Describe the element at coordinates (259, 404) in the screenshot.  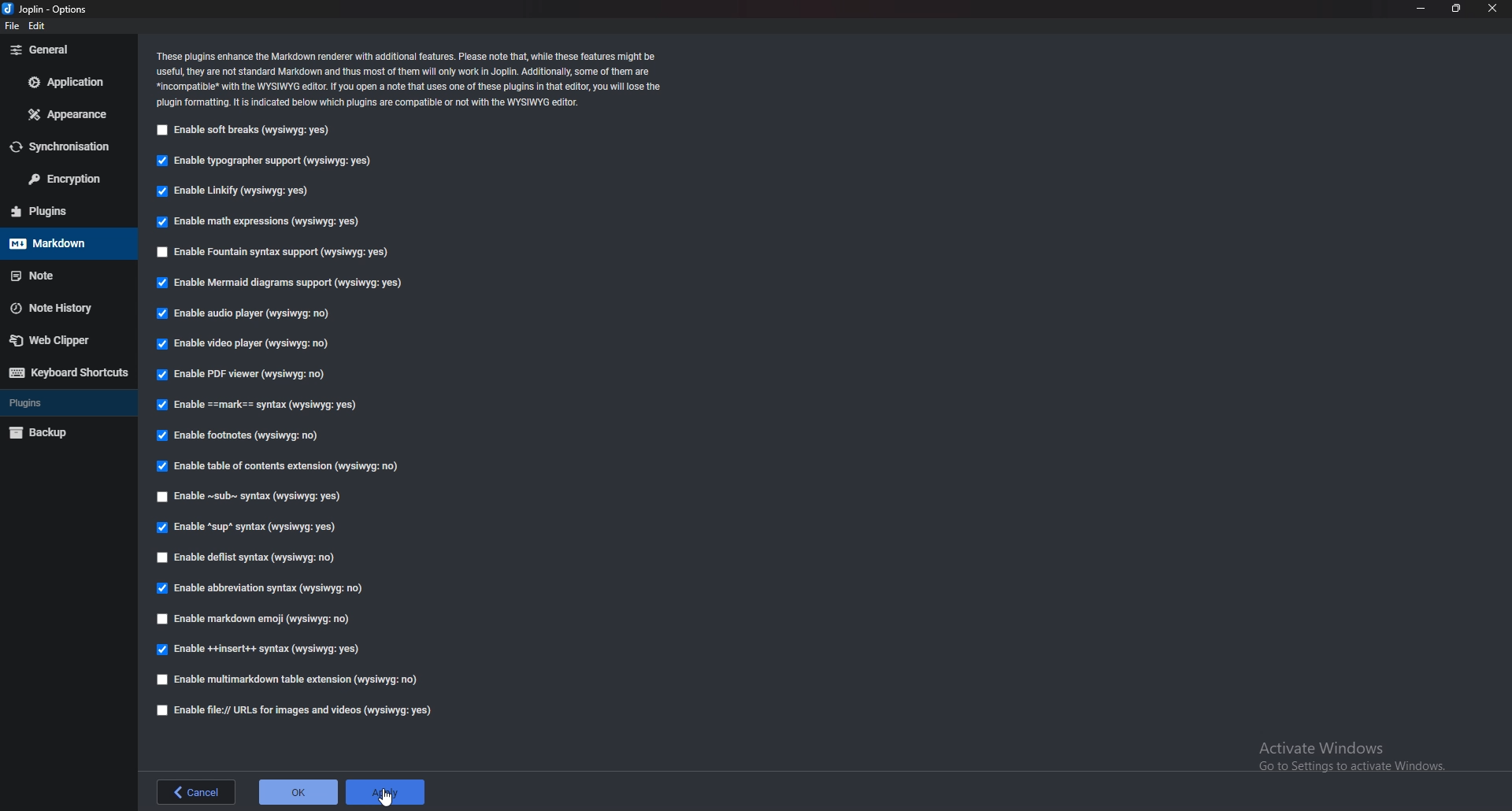
I see `enable Mark Syntax` at that location.